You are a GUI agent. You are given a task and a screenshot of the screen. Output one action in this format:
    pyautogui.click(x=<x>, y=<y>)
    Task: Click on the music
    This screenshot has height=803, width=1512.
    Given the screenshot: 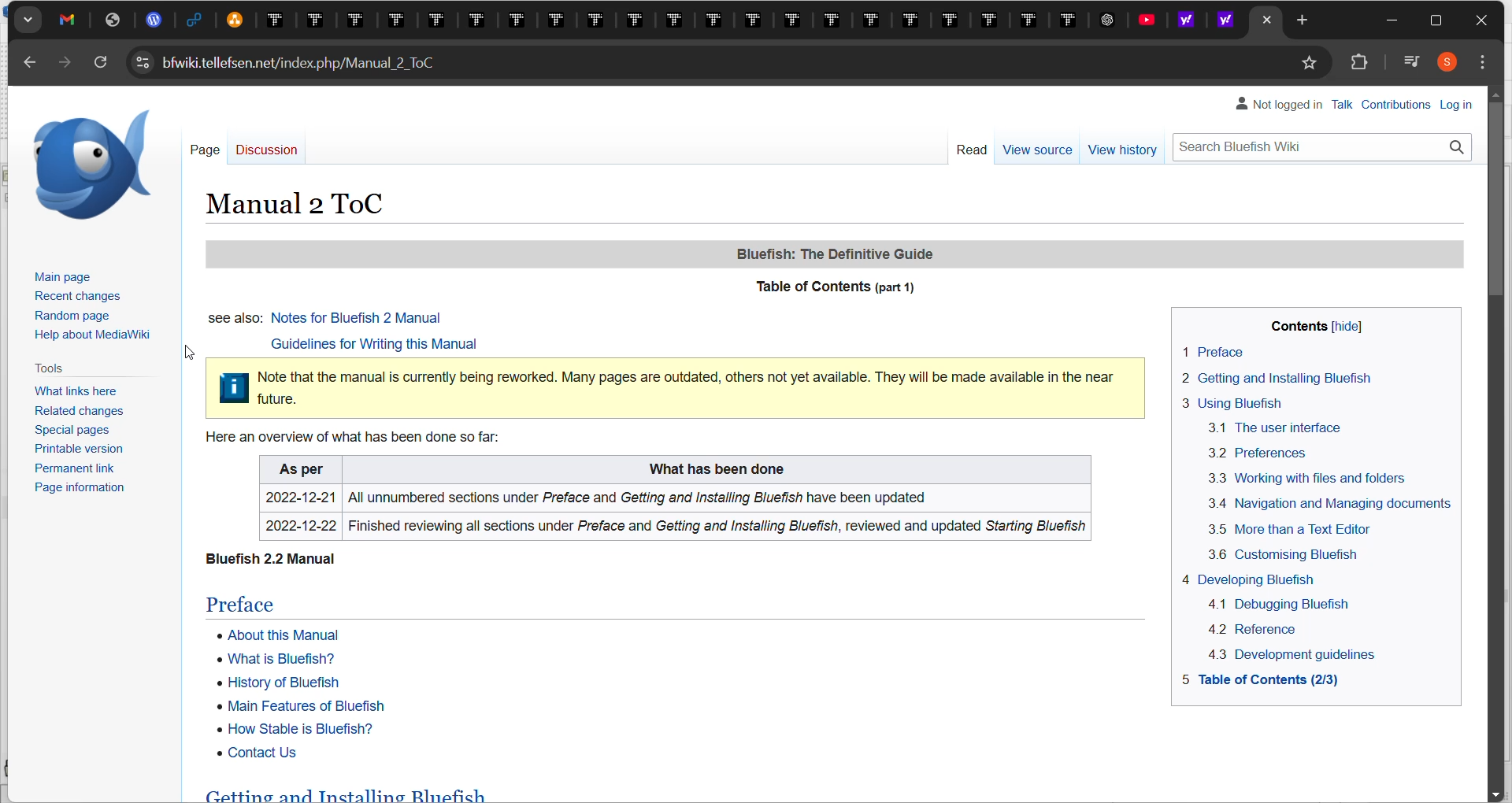 What is the action you would take?
    pyautogui.click(x=1413, y=63)
    